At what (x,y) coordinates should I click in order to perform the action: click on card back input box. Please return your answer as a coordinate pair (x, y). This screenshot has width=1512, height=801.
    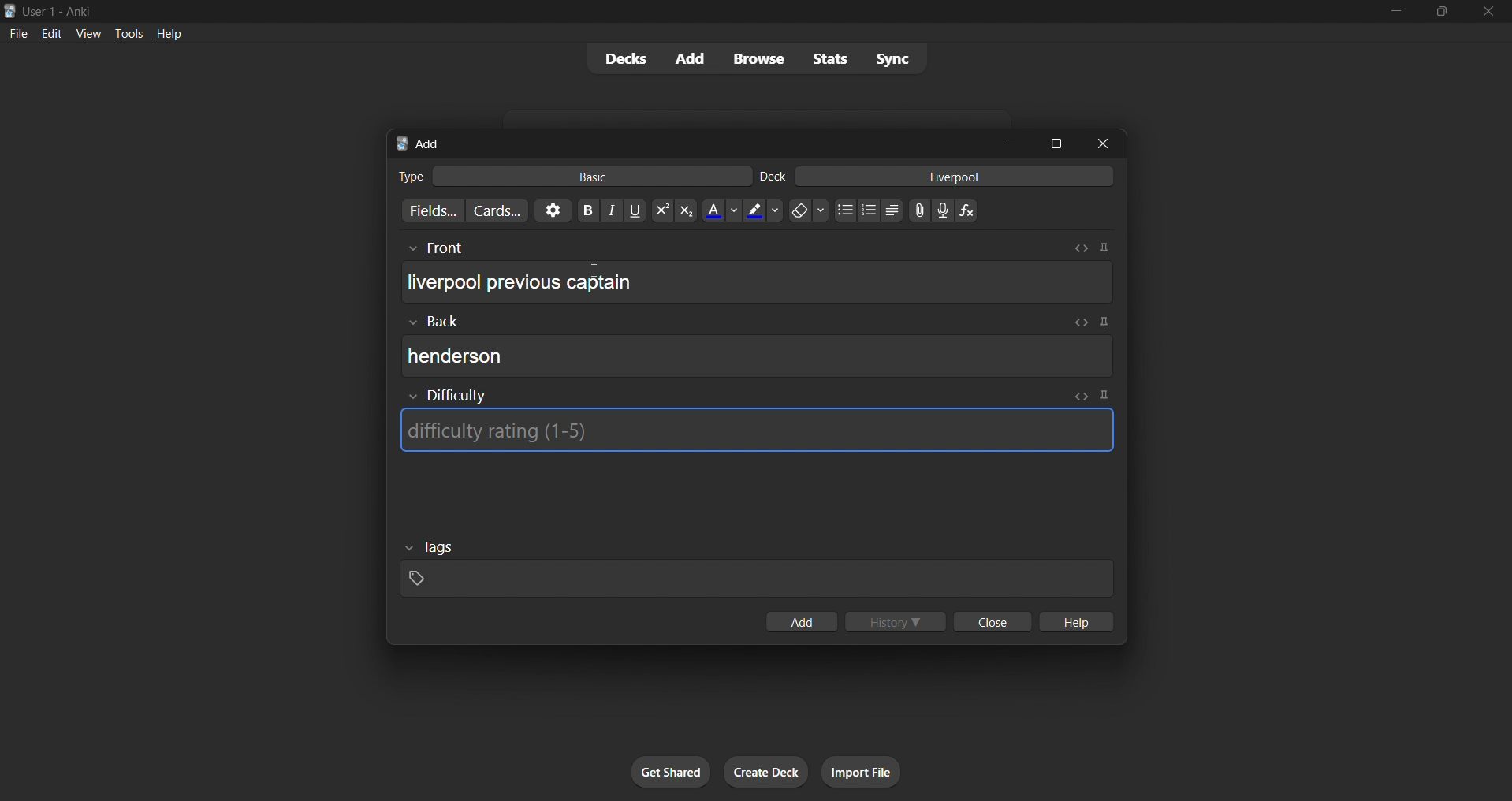
    Looking at the image, I should click on (762, 348).